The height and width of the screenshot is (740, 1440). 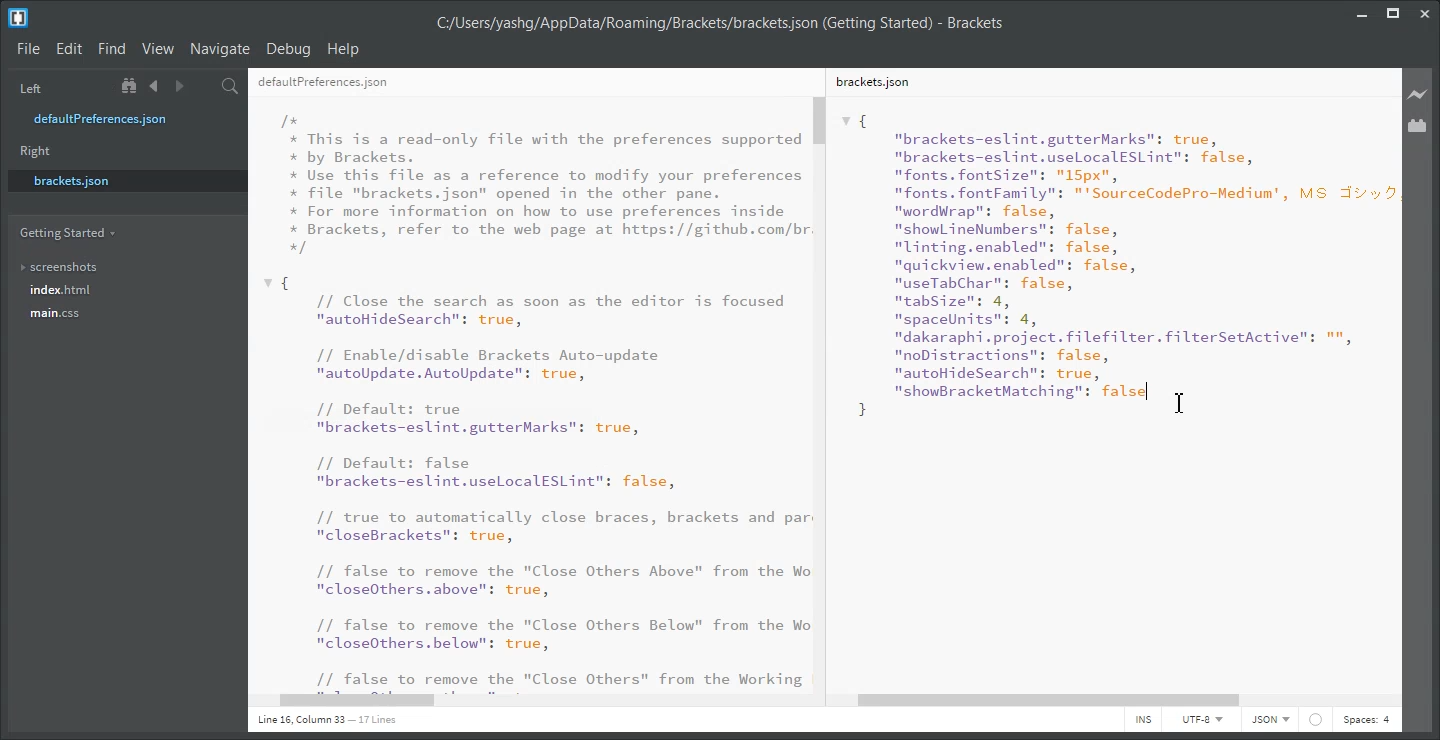 What do you see at coordinates (112, 49) in the screenshot?
I see `Find` at bounding box center [112, 49].